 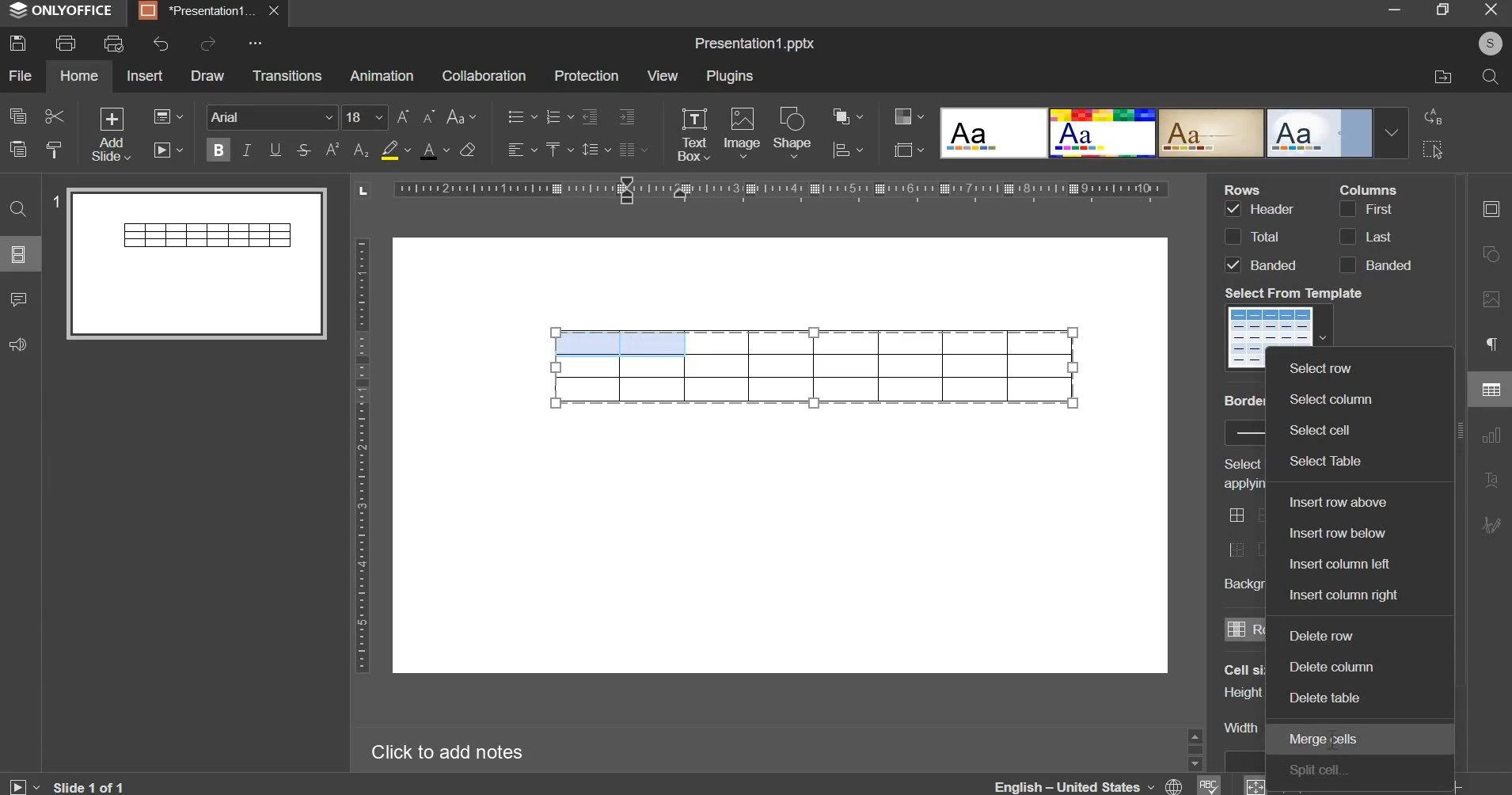 What do you see at coordinates (207, 11) in the screenshot?
I see `Presentation tab` at bounding box center [207, 11].